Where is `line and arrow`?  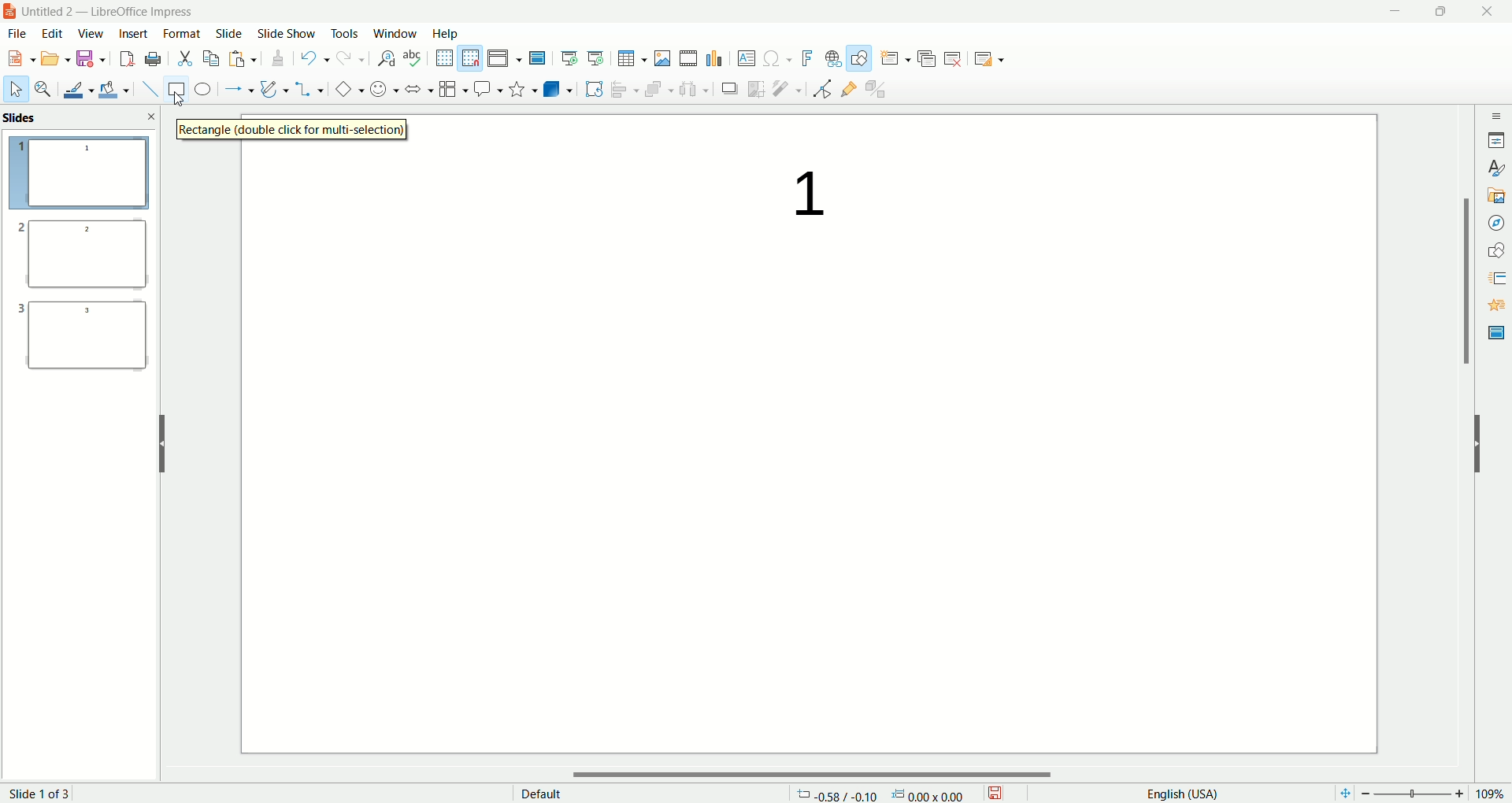 line and arrow is located at coordinates (237, 90).